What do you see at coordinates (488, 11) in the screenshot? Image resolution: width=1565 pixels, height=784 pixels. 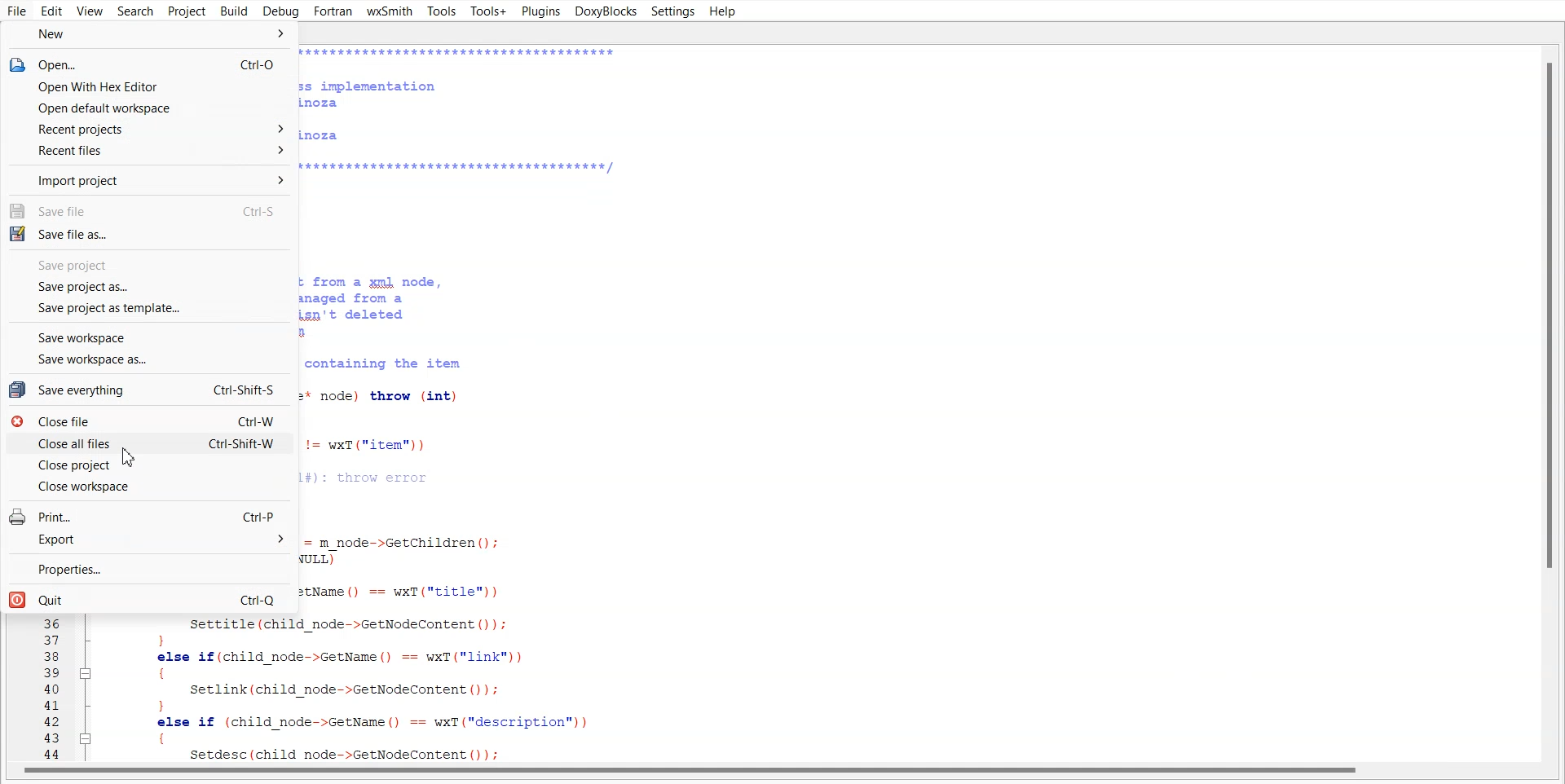 I see `Tools+` at bounding box center [488, 11].